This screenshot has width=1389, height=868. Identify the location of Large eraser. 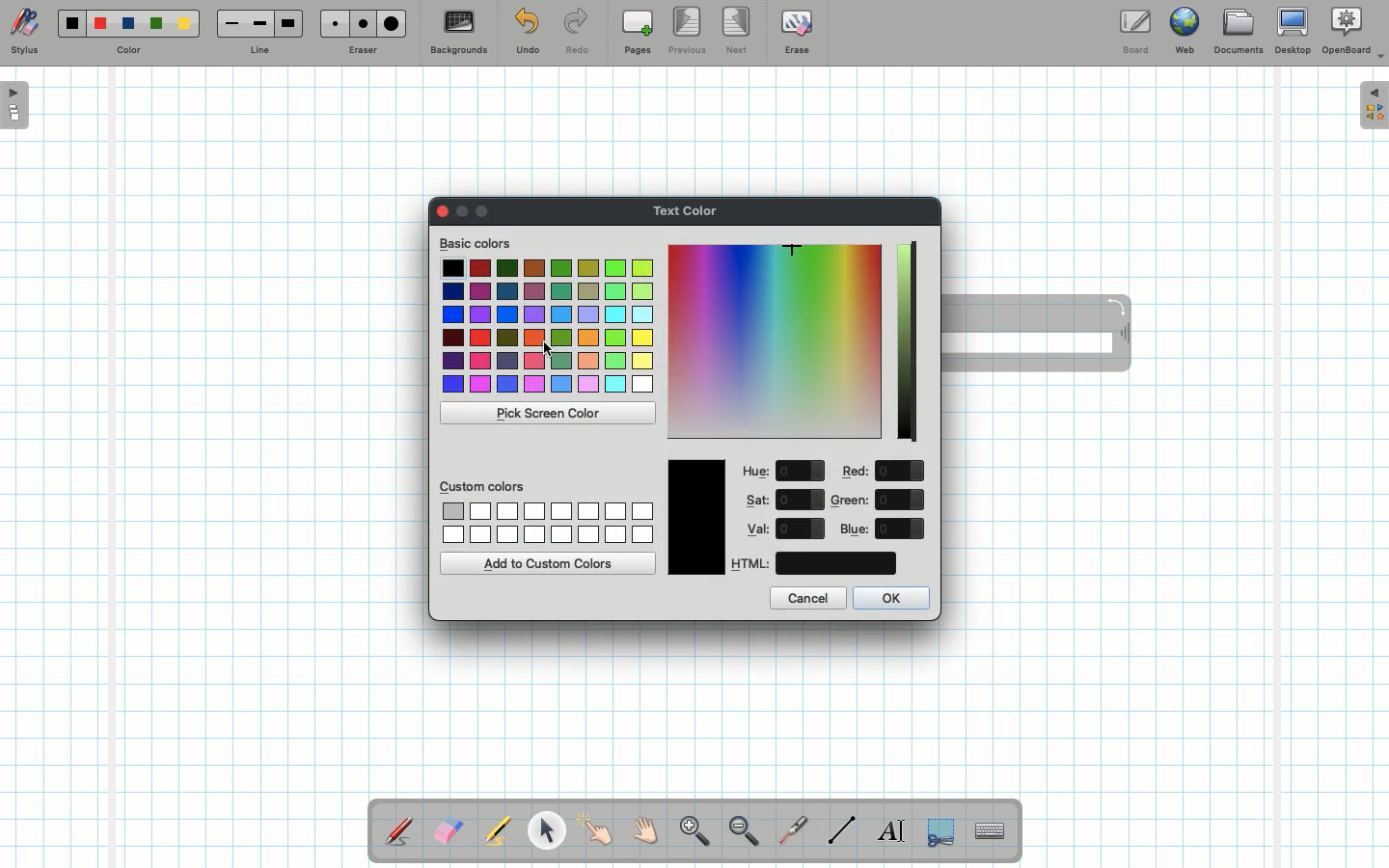
(392, 23).